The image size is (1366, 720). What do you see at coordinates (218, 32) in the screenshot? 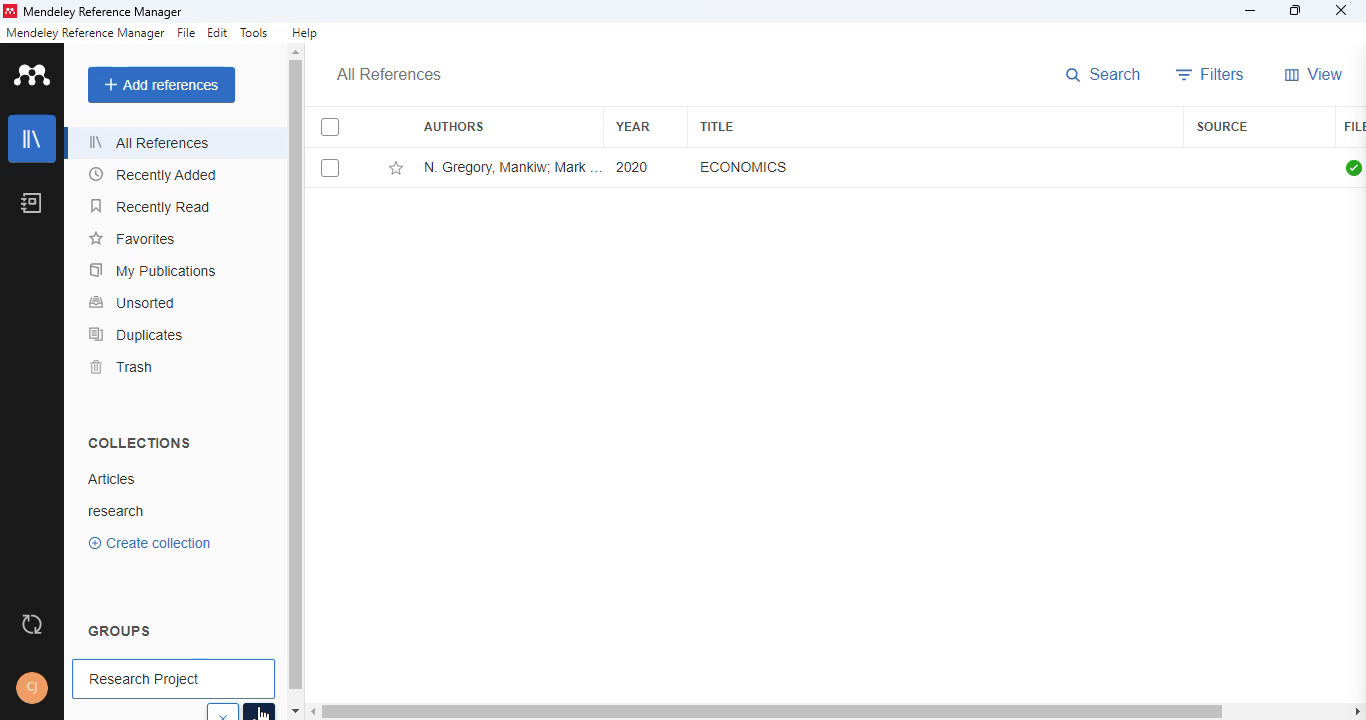
I see `edit` at bounding box center [218, 32].